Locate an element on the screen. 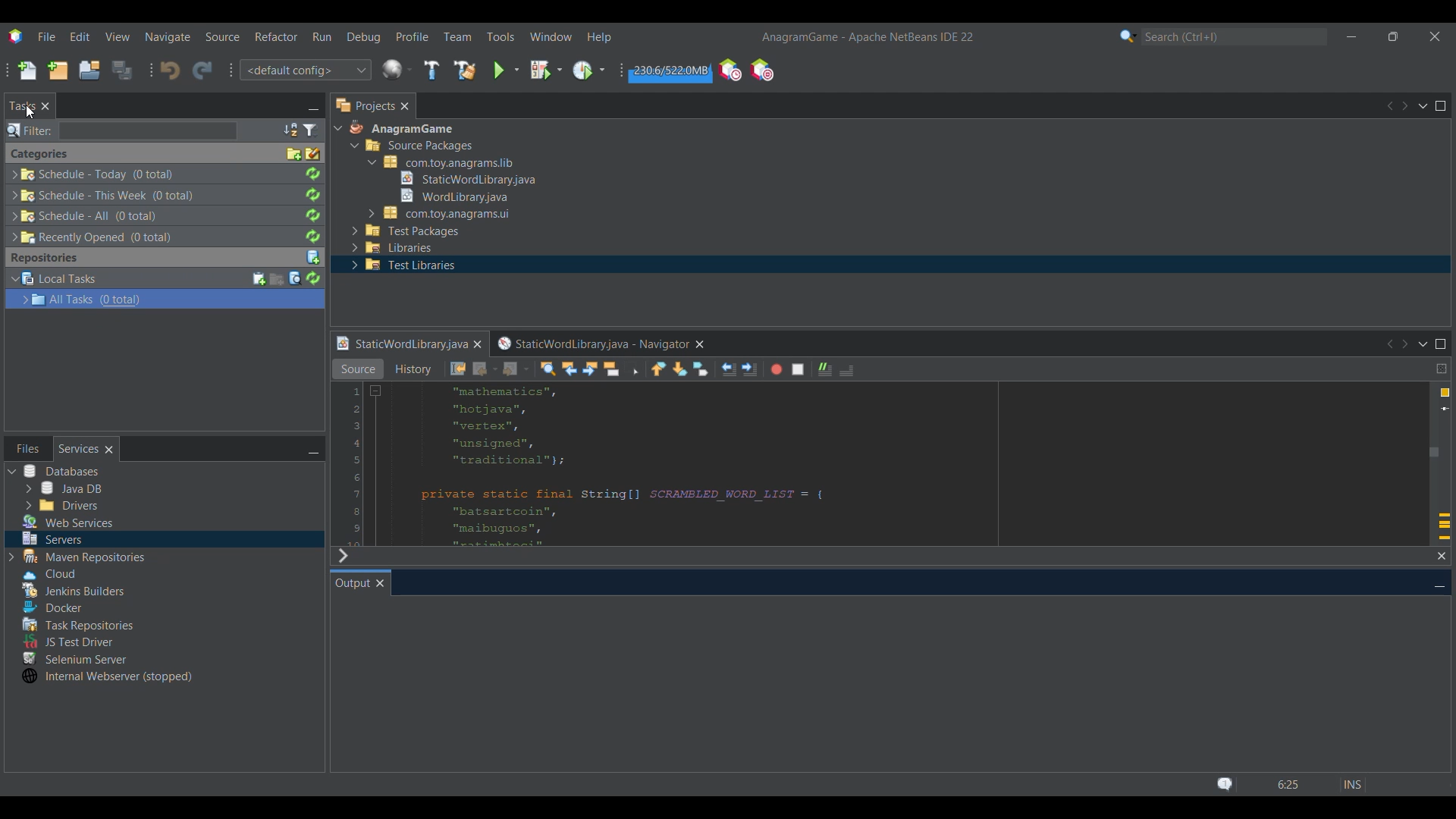   is located at coordinates (106, 676).